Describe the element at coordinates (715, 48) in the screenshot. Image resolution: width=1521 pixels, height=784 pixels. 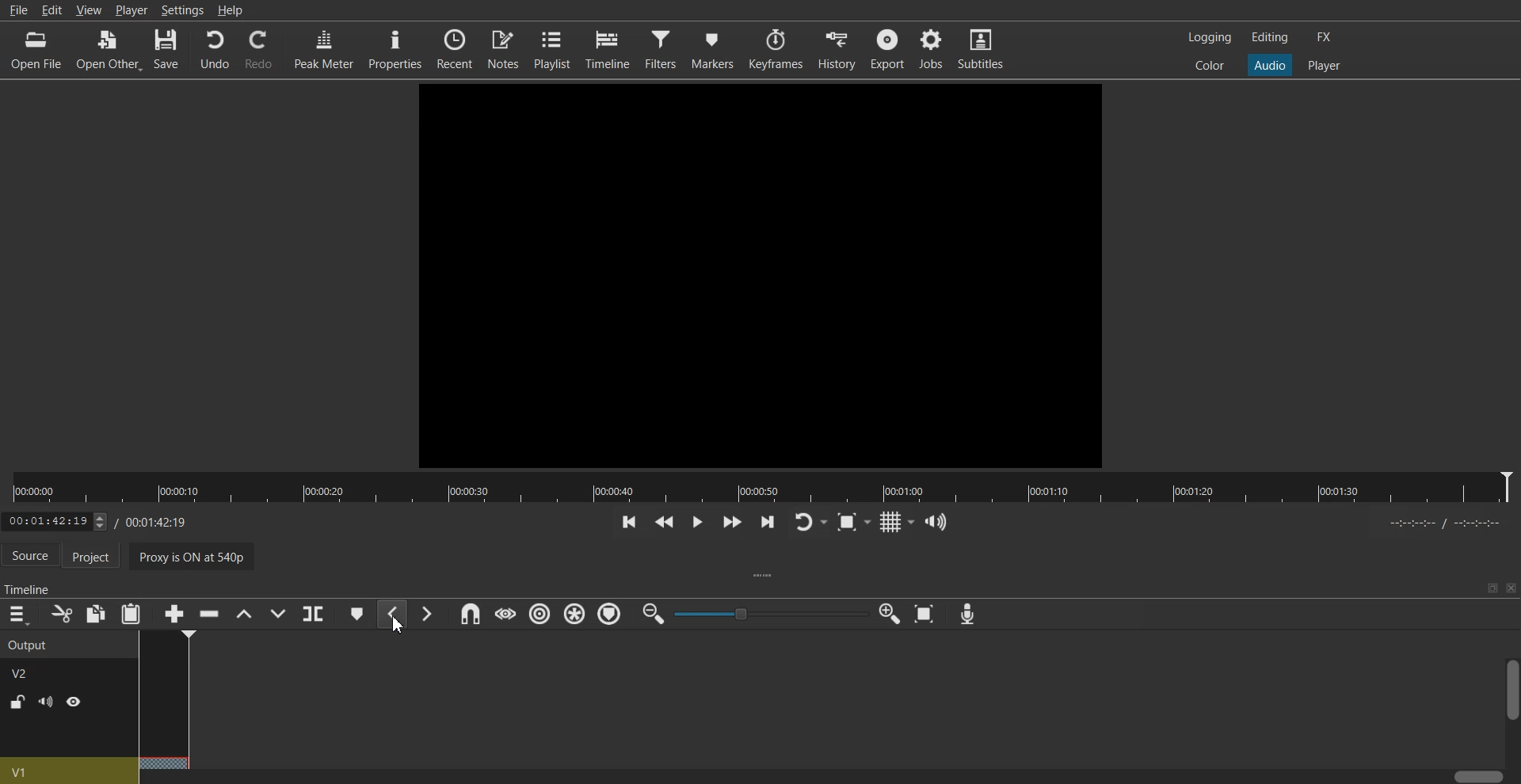
I see `Markers` at that location.